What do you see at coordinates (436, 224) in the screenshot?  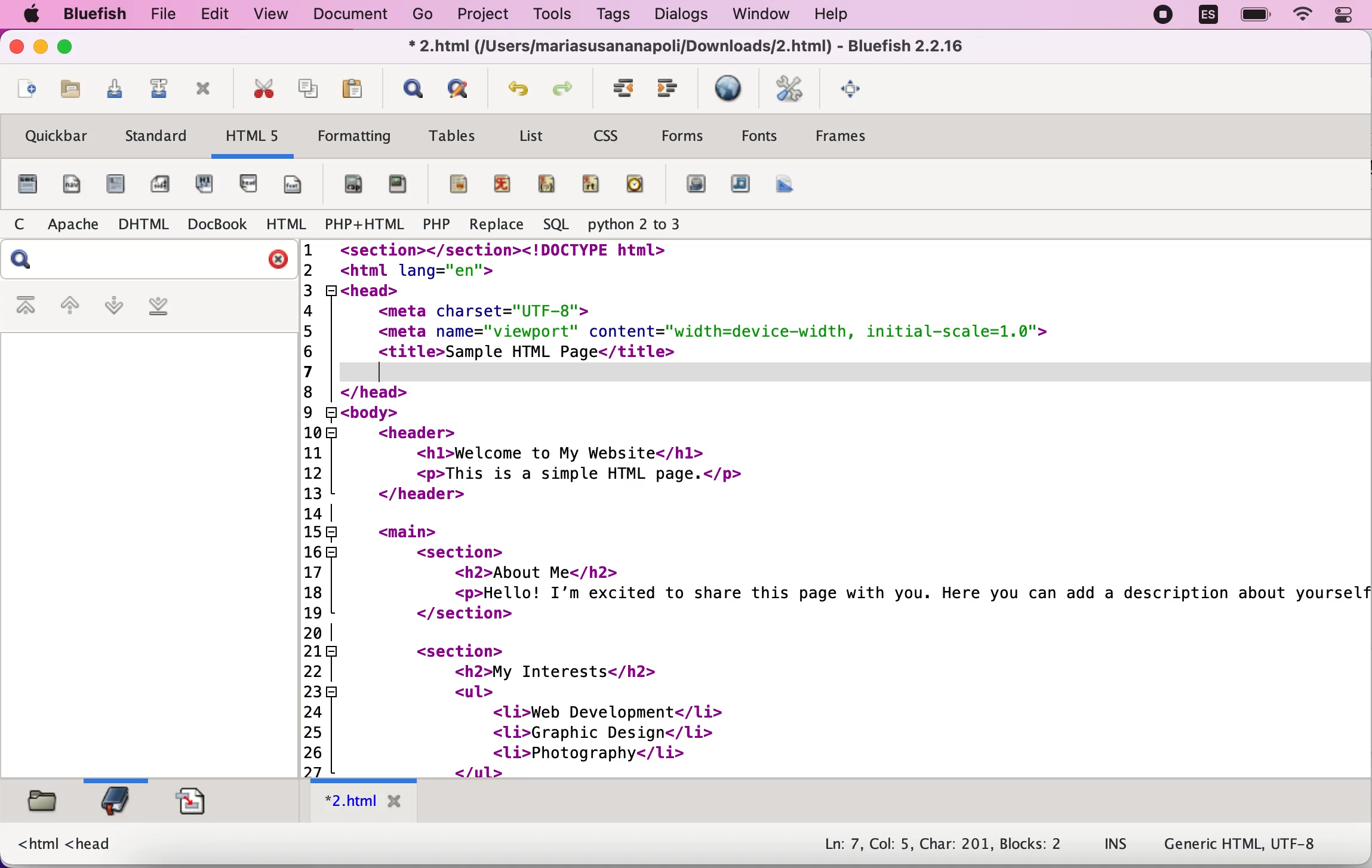 I see `php` at bounding box center [436, 224].